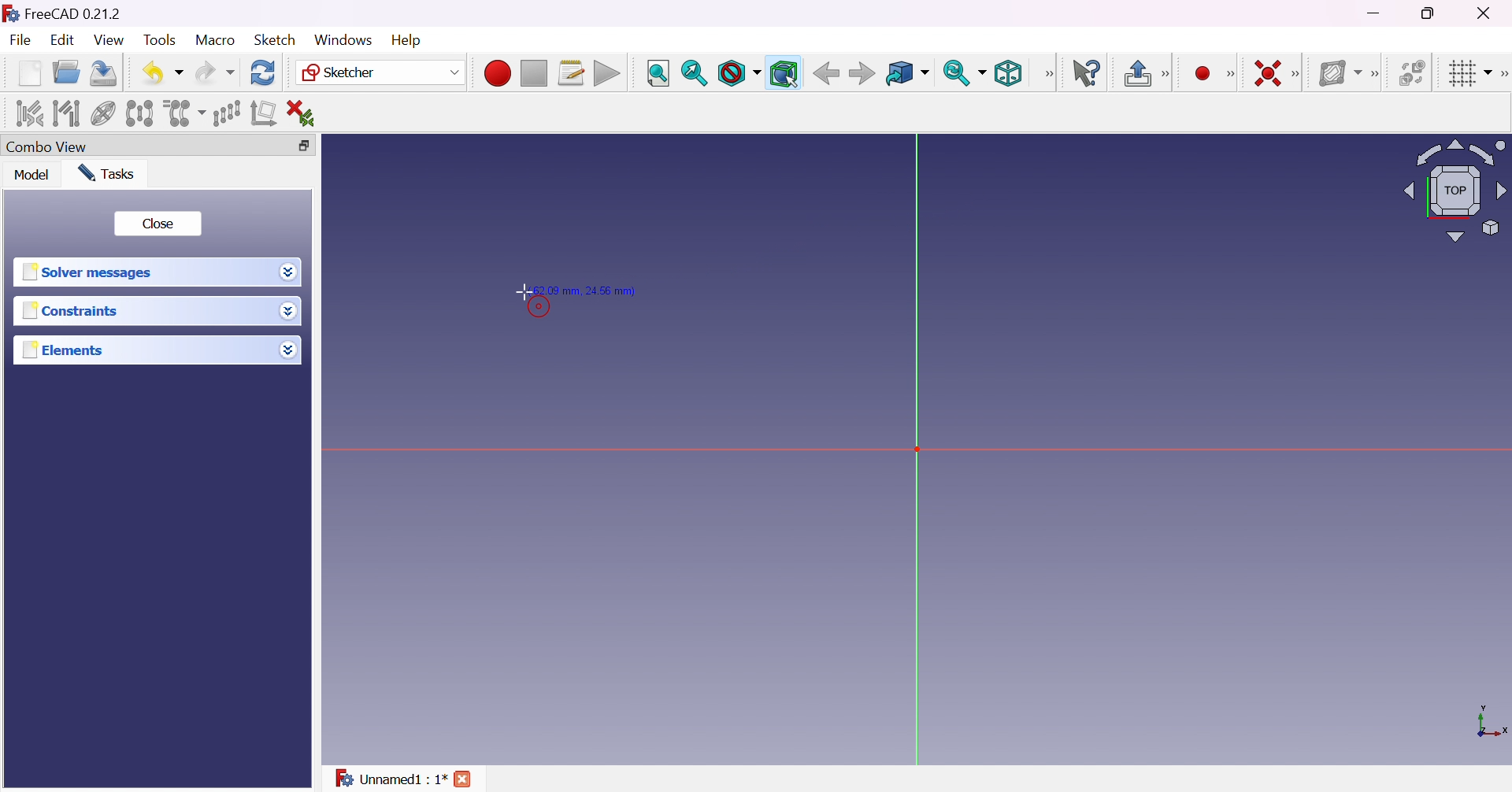 The width and height of the screenshot is (1512, 792). I want to click on Undo, so click(163, 72).